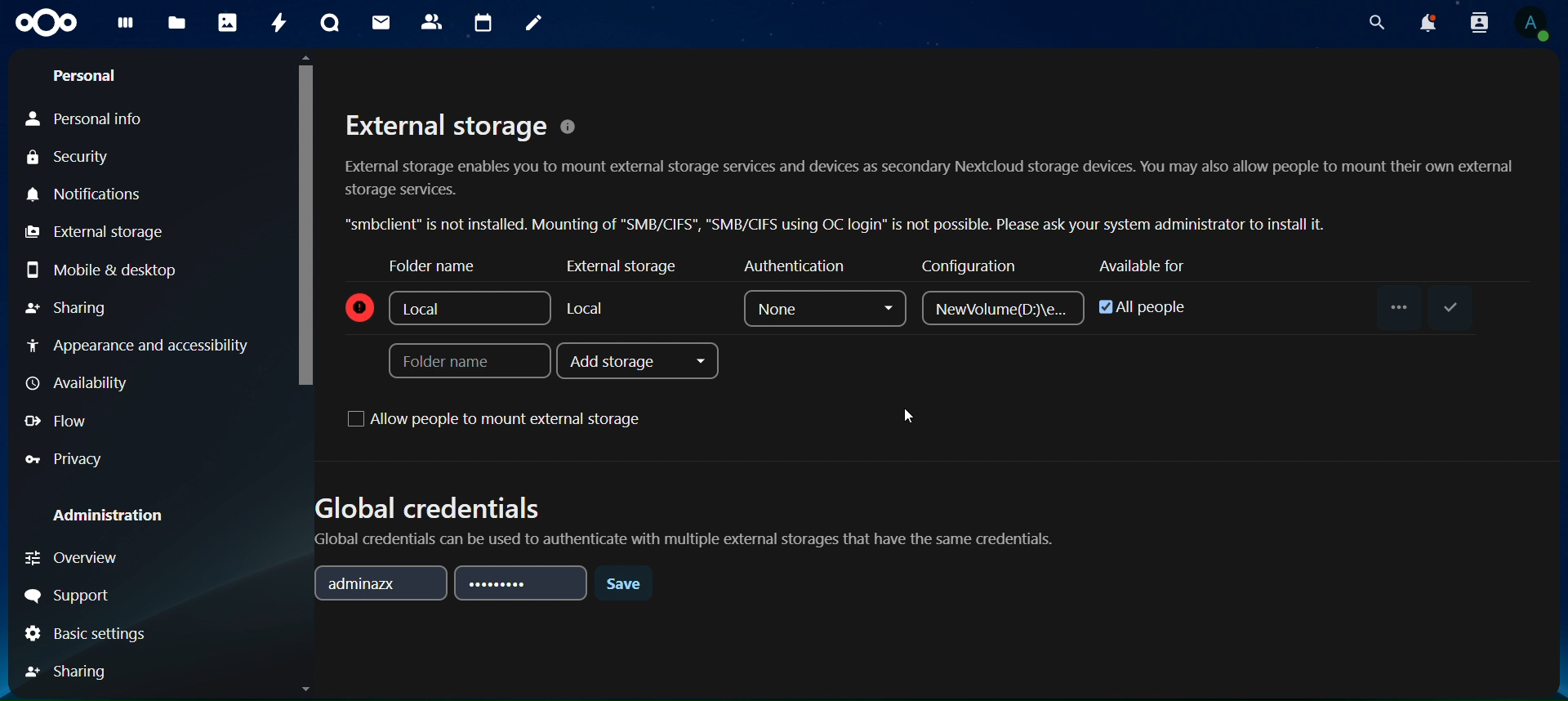  Describe the element at coordinates (1395, 306) in the screenshot. I see `...` at that location.